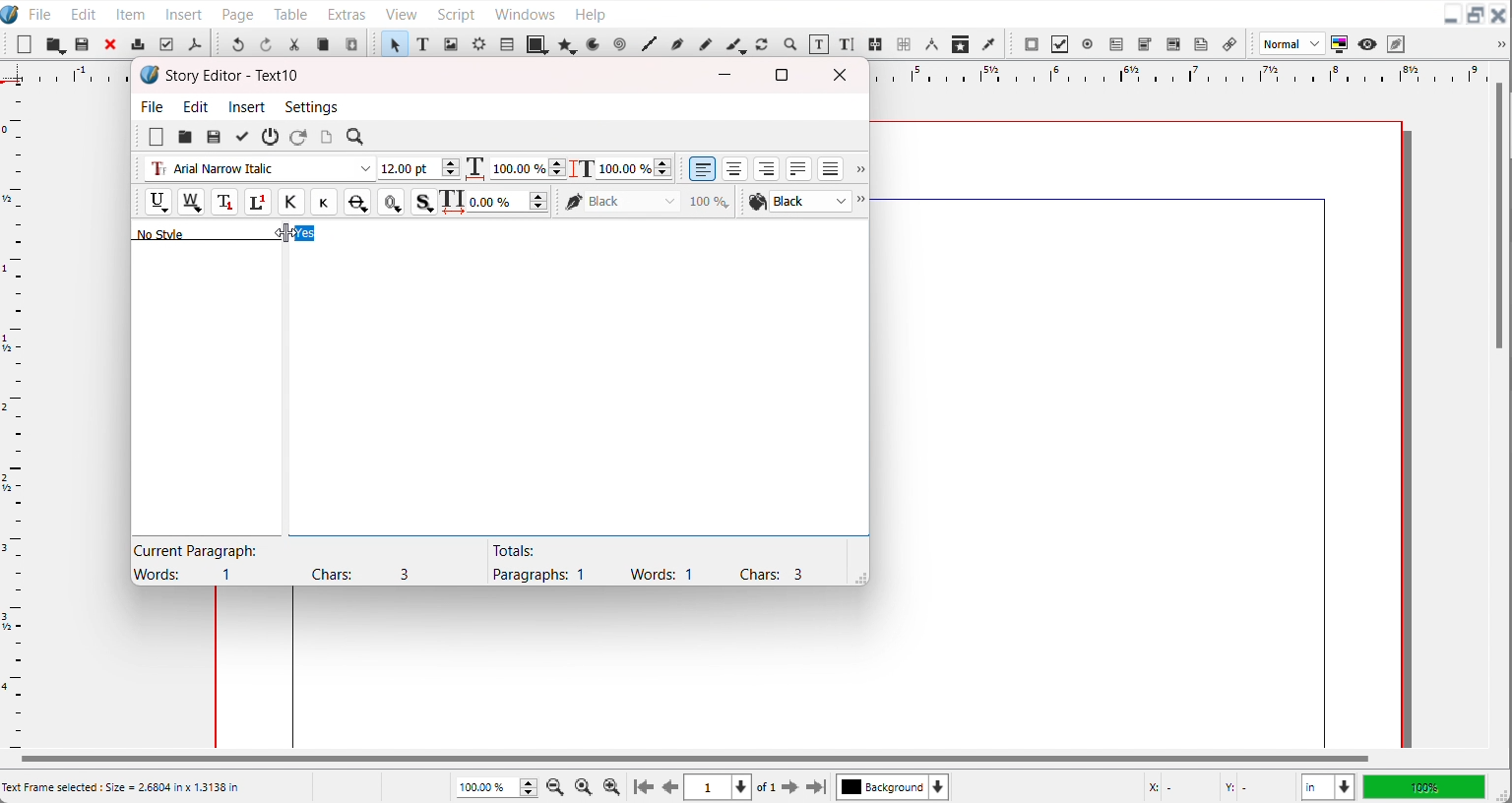  What do you see at coordinates (157, 137) in the screenshot?
I see `New ` at bounding box center [157, 137].